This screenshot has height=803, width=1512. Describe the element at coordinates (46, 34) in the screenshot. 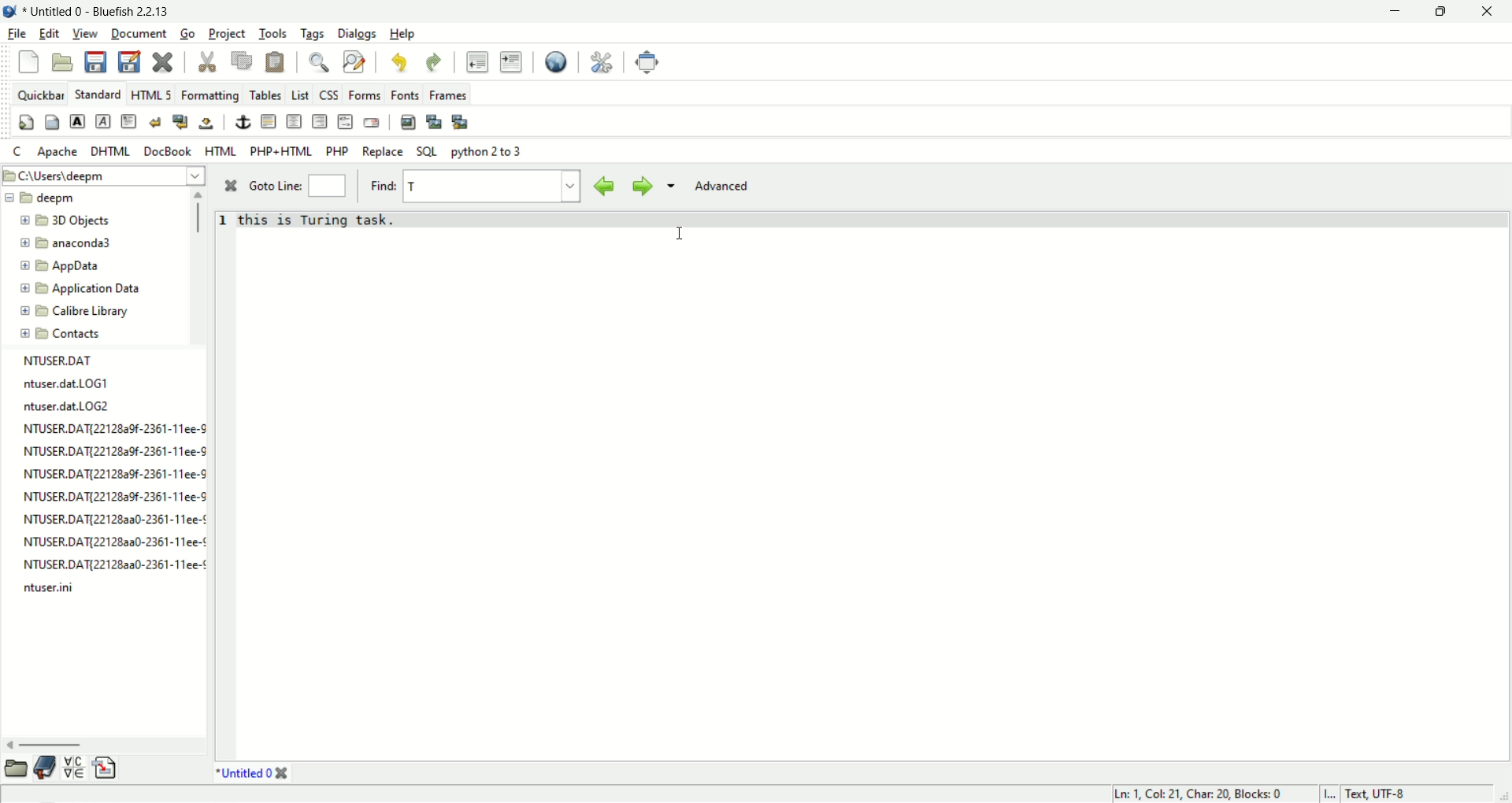

I see `edit` at that location.